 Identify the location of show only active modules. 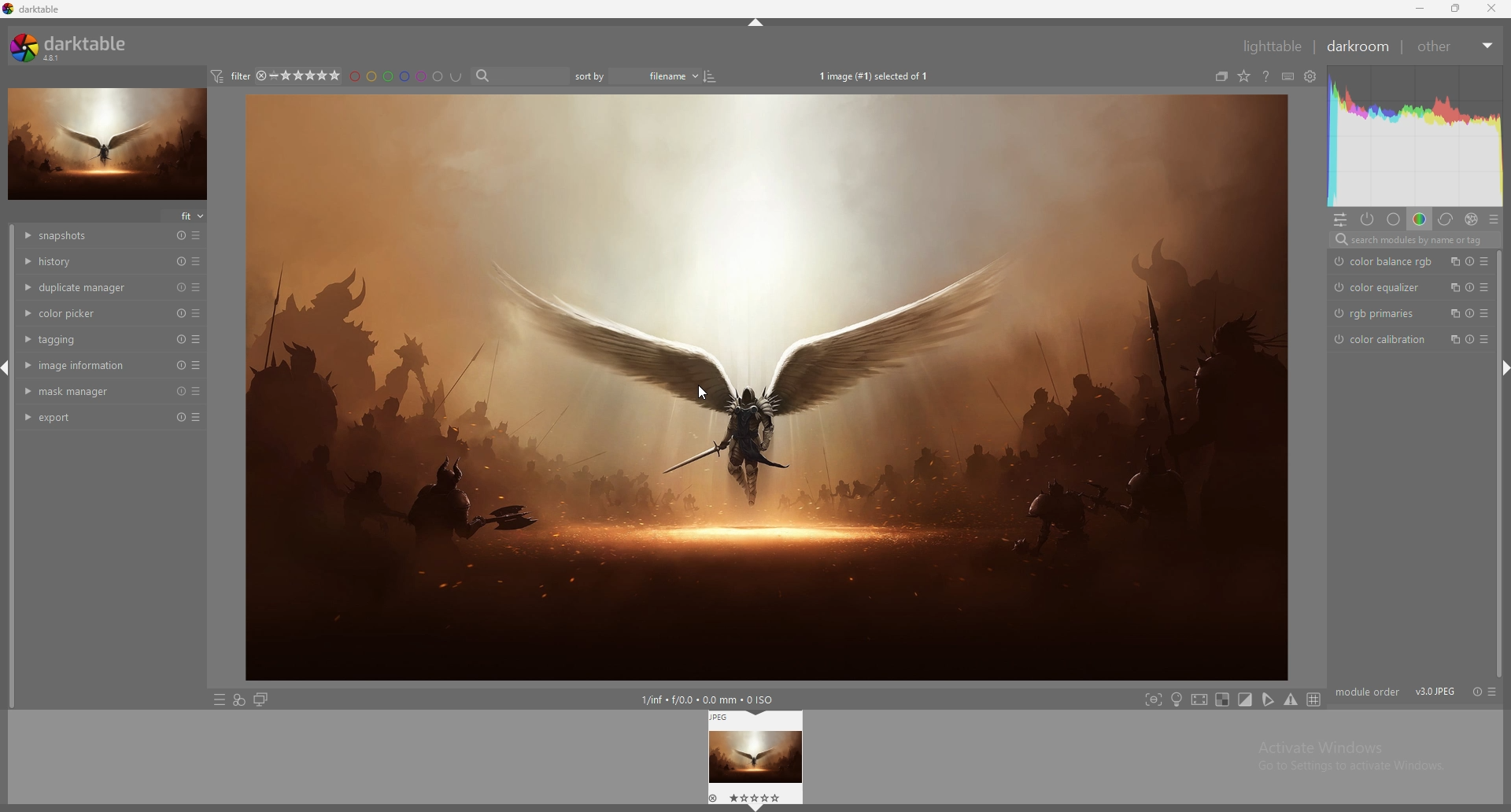
(1368, 220).